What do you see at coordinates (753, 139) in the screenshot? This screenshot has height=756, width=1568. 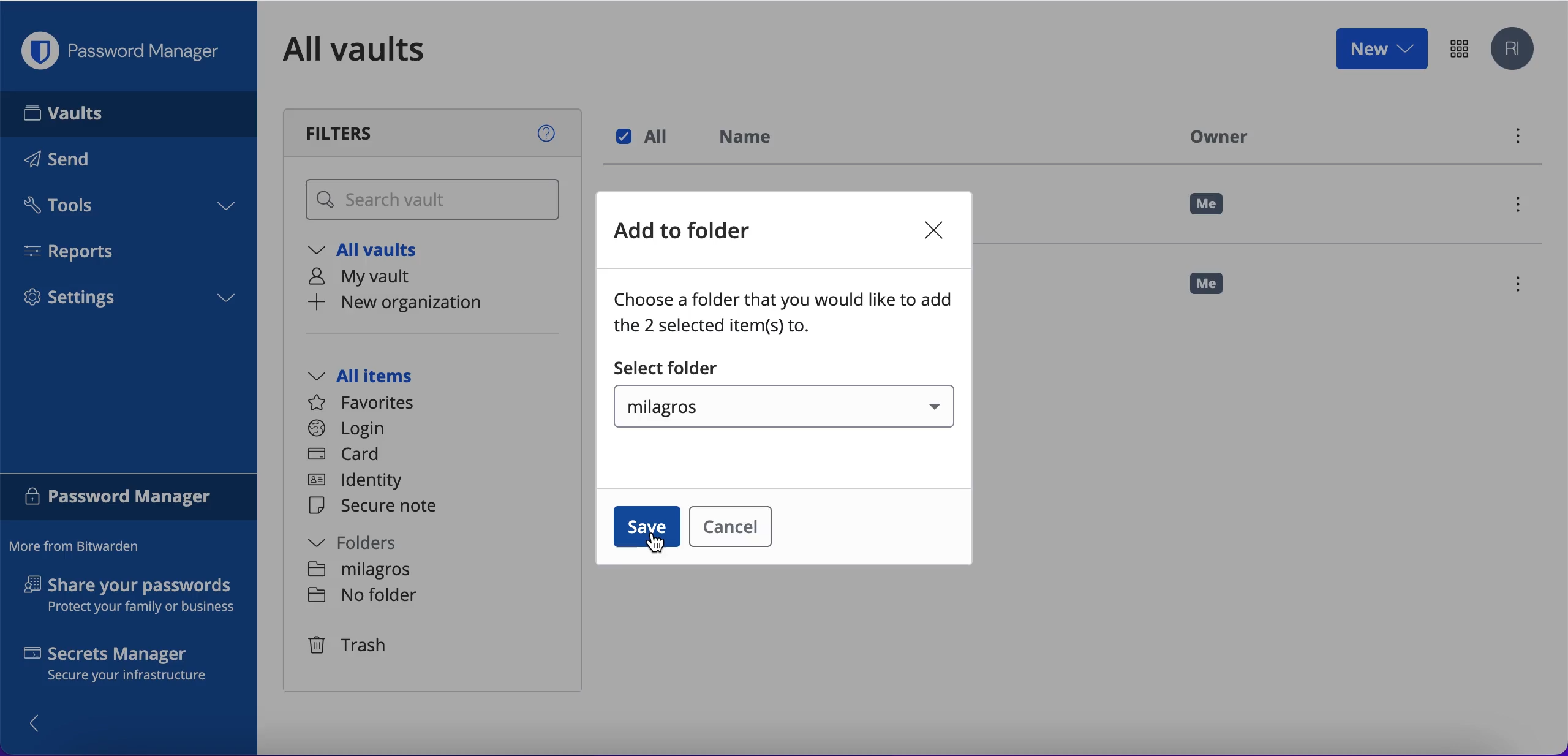 I see `name` at bounding box center [753, 139].